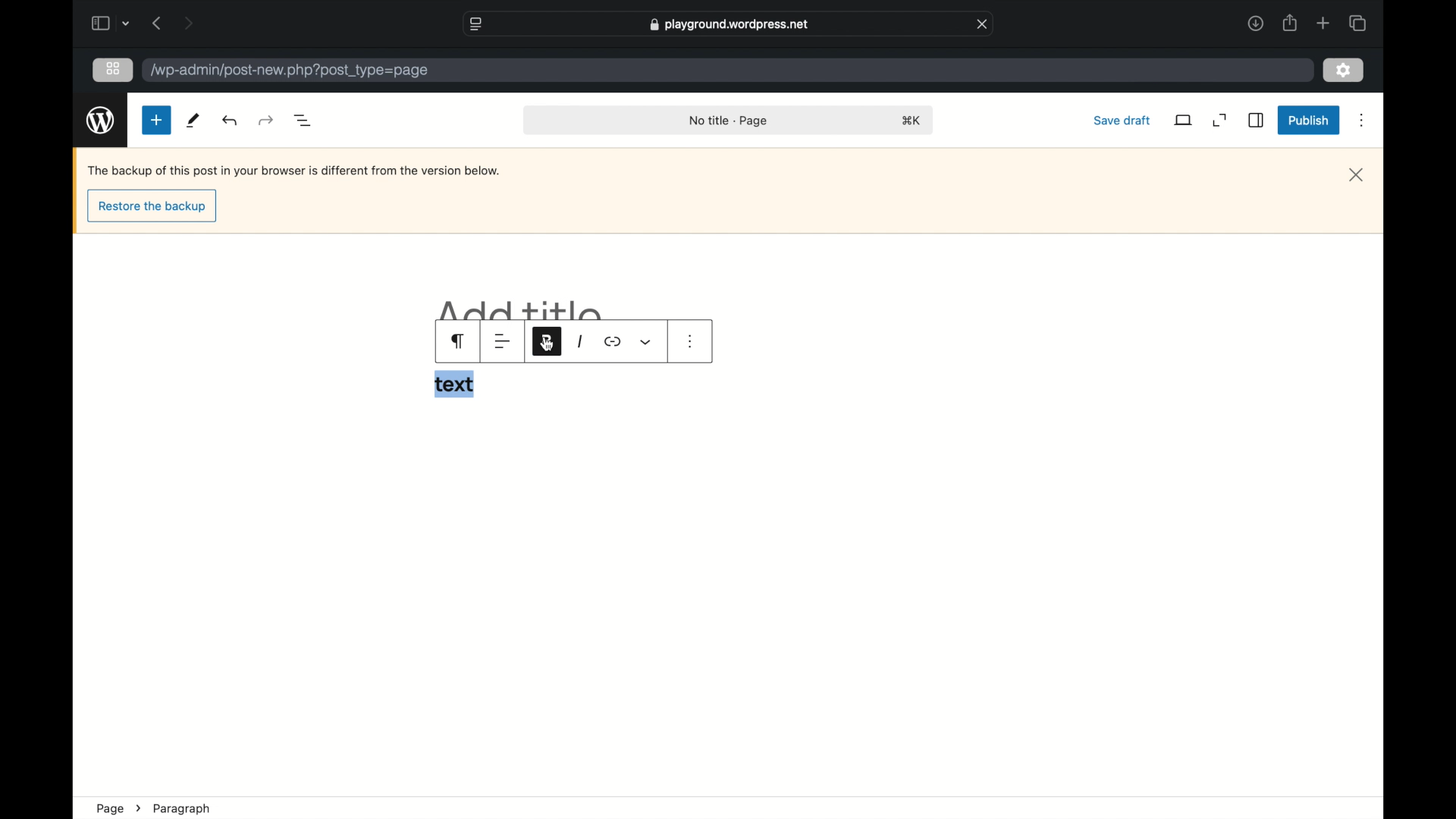 The height and width of the screenshot is (819, 1456). Describe the element at coordinates (188, 23) in the screenshot. I see `next page` at that location.